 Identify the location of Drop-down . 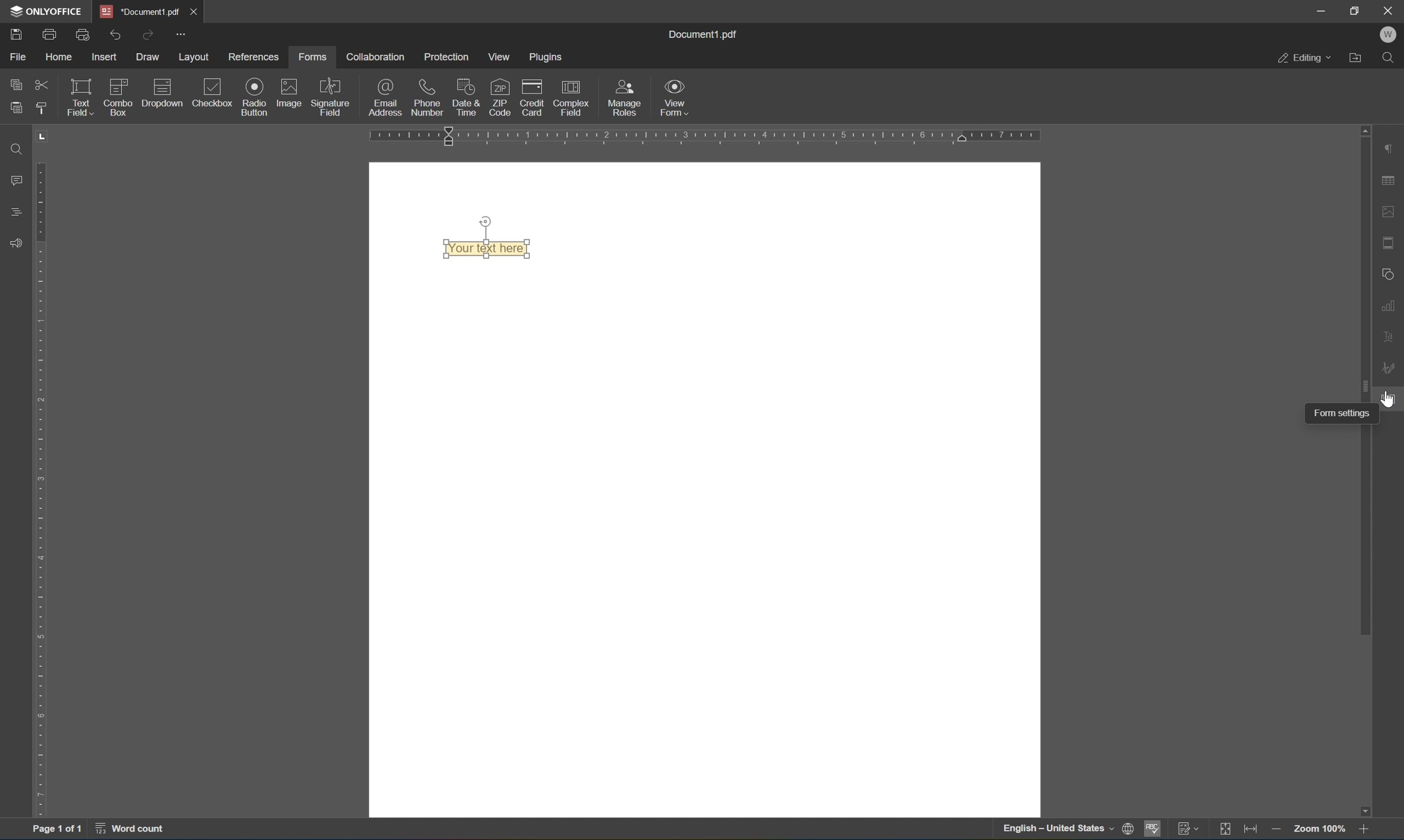
(162, 96).